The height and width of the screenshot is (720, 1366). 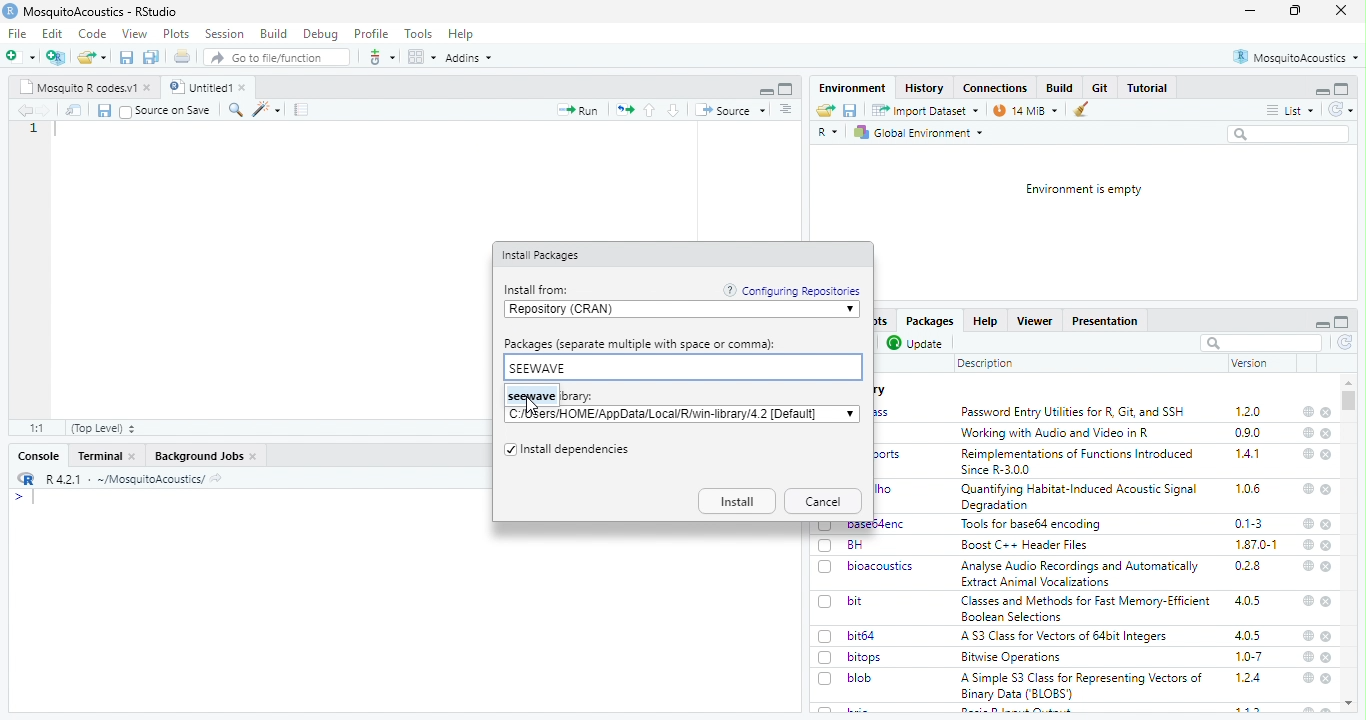 I want to click on ‘Working with Audio and Video in R, so click(x=1059, y=433).